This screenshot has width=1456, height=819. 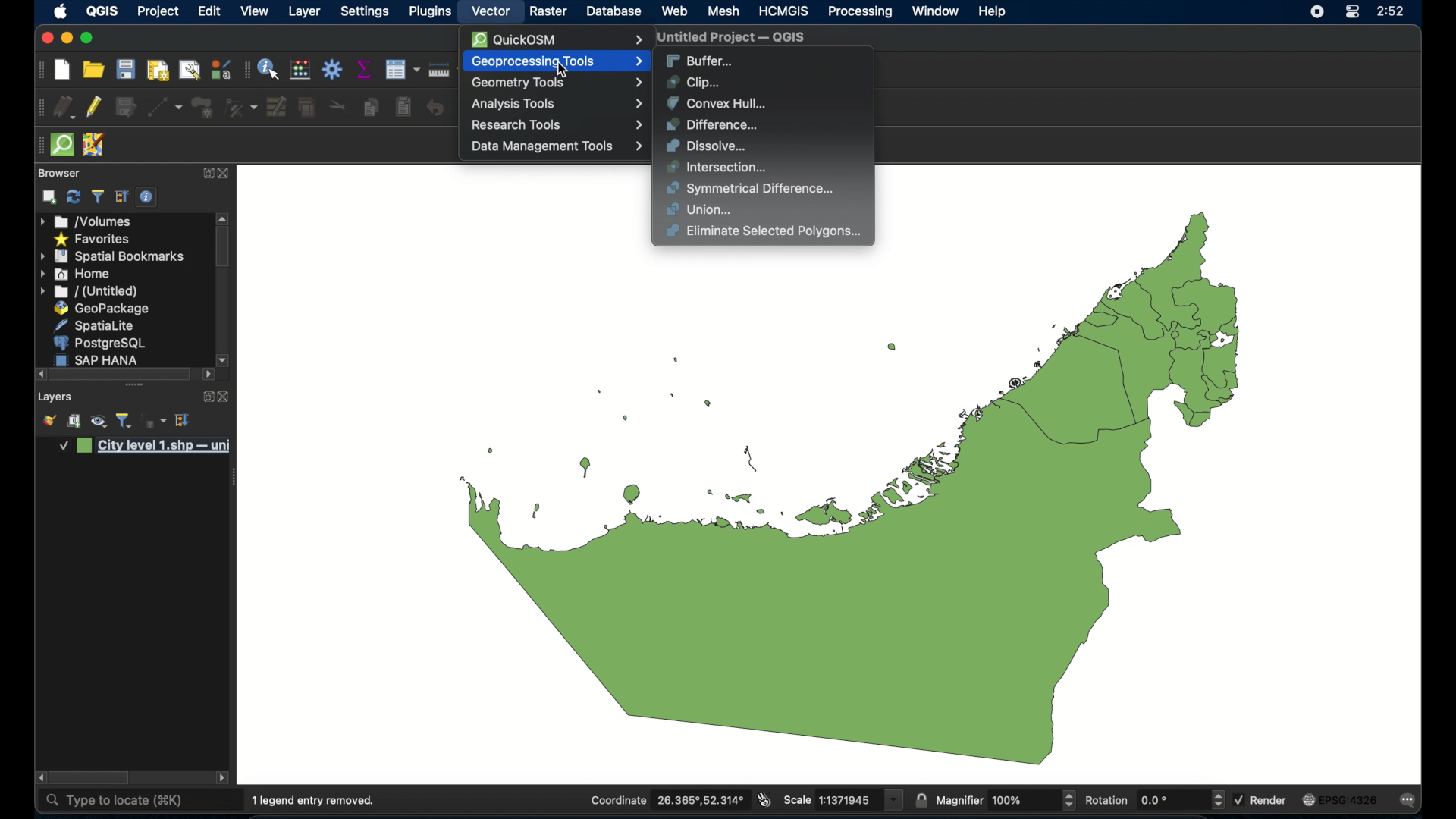 I want to click on add polygon feature, so click(x=202, y=106).